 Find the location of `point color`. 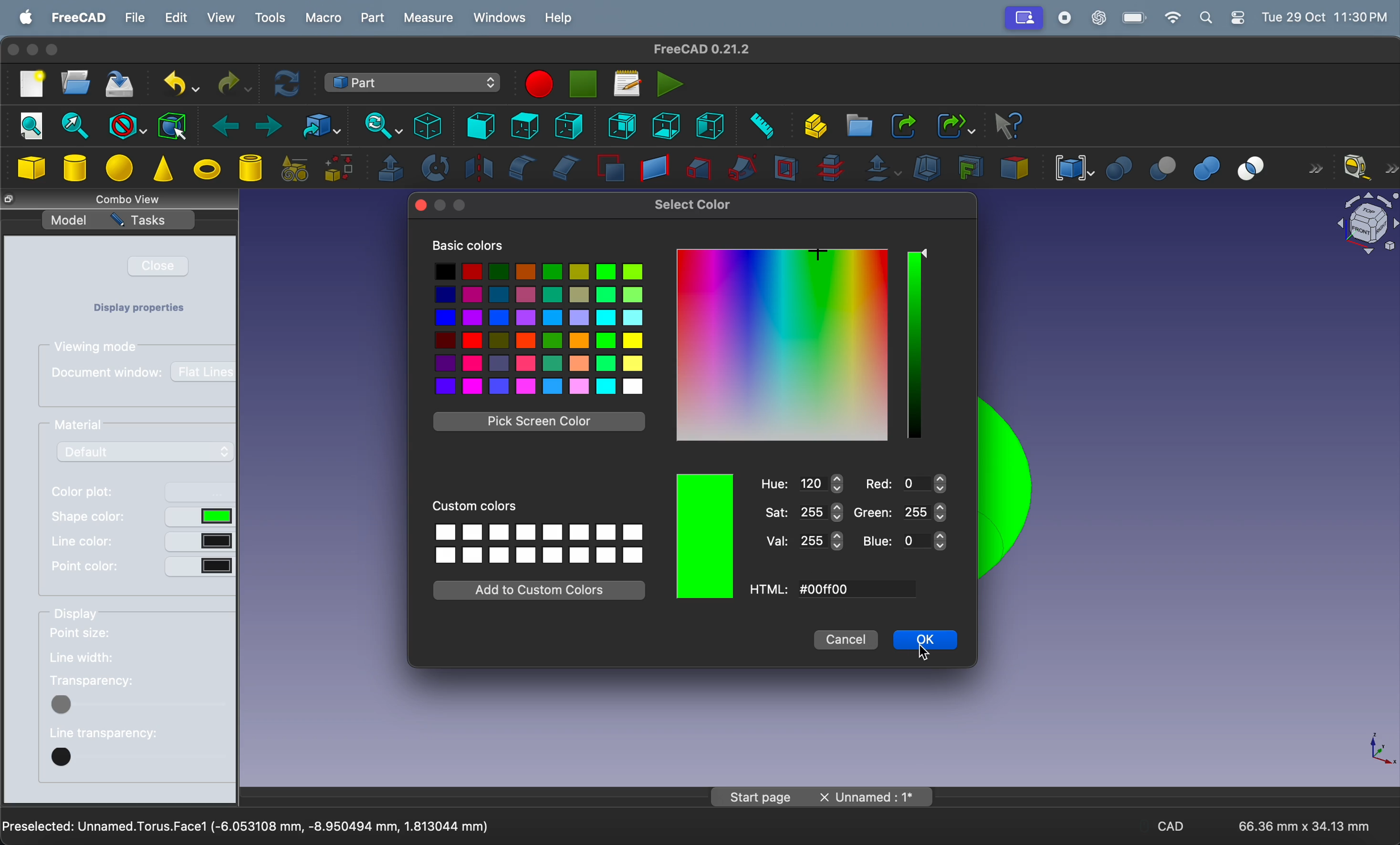

point color is located at coordinates (84, 566).